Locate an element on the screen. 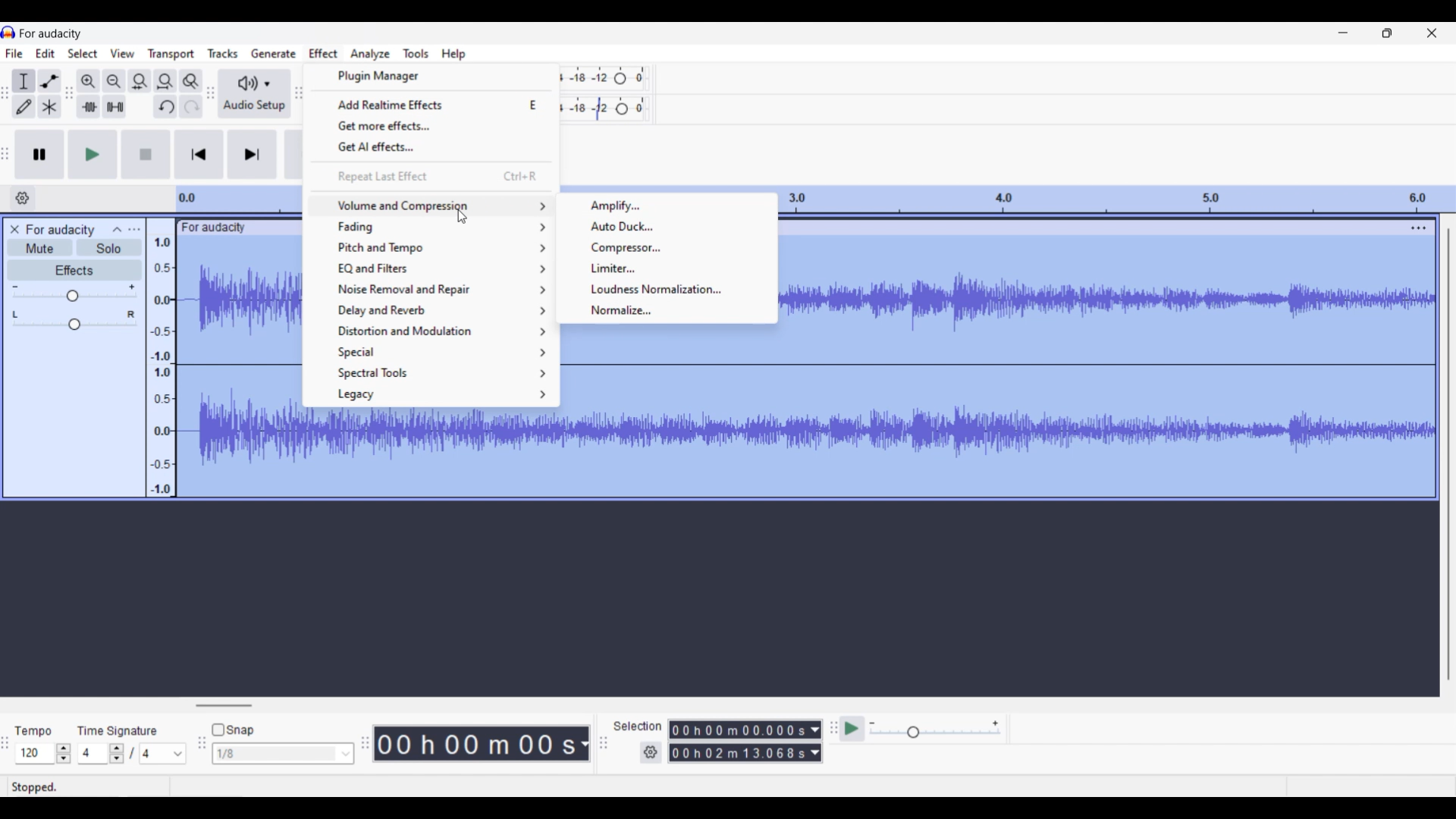 Image resolution: width=1456 pixels, height=819 pixels. Loudness normalization is located at coordinates (667, 289).